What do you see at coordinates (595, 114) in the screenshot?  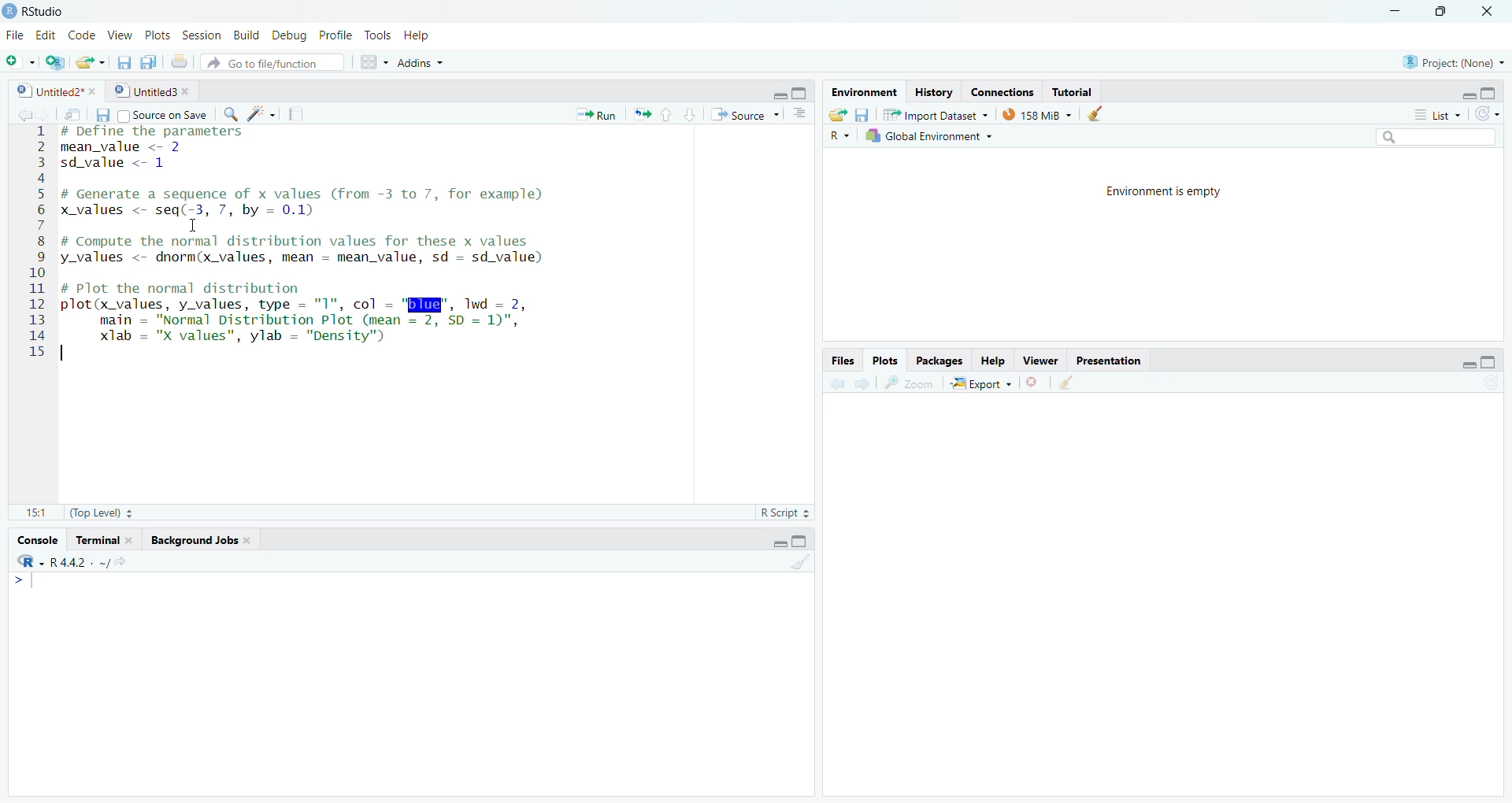 I see `Run` at bounding box center [595, 114].